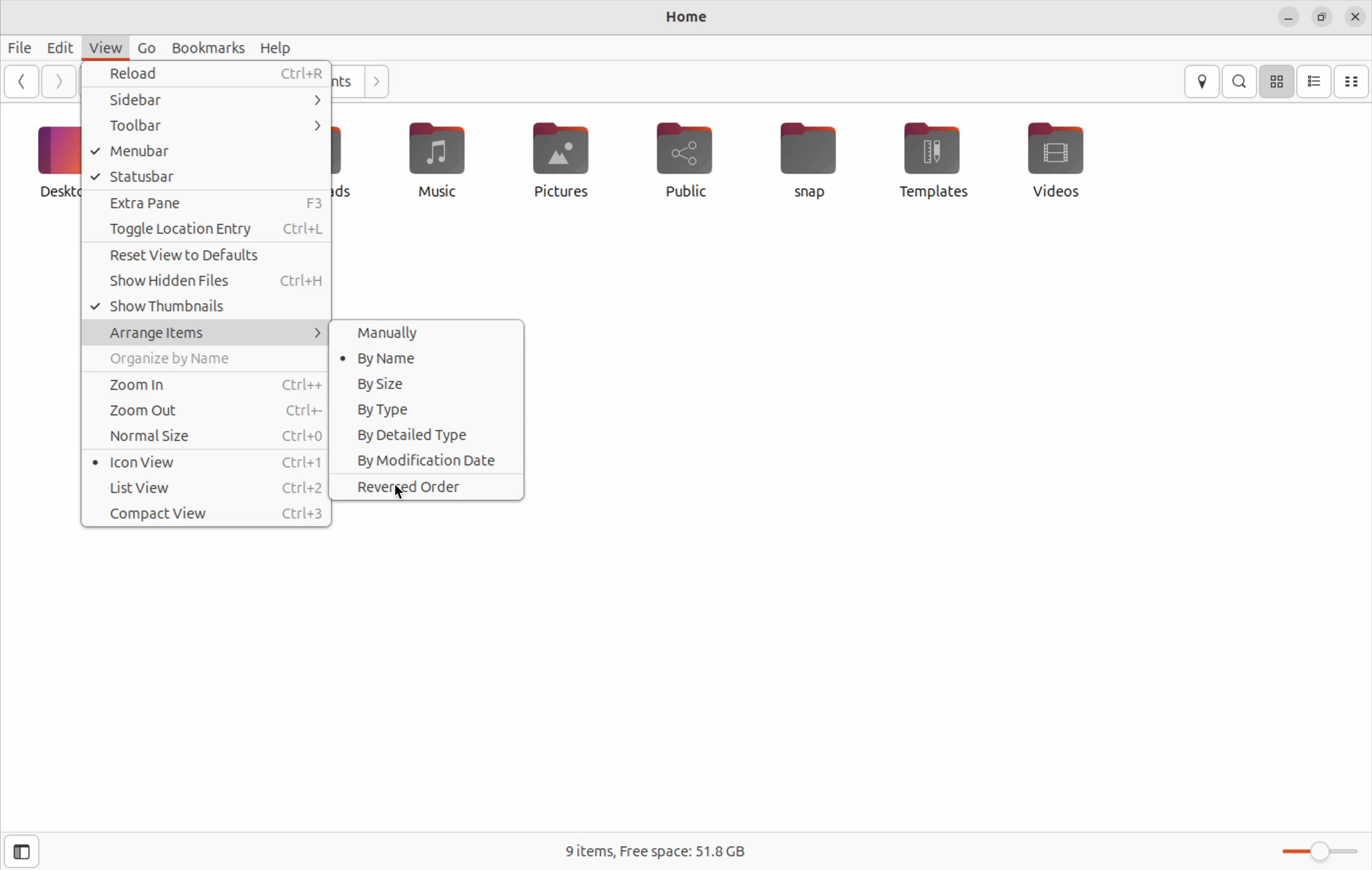 This screenshot has height=870, width=1372. I want to click on zoom in, so click(202, 385).